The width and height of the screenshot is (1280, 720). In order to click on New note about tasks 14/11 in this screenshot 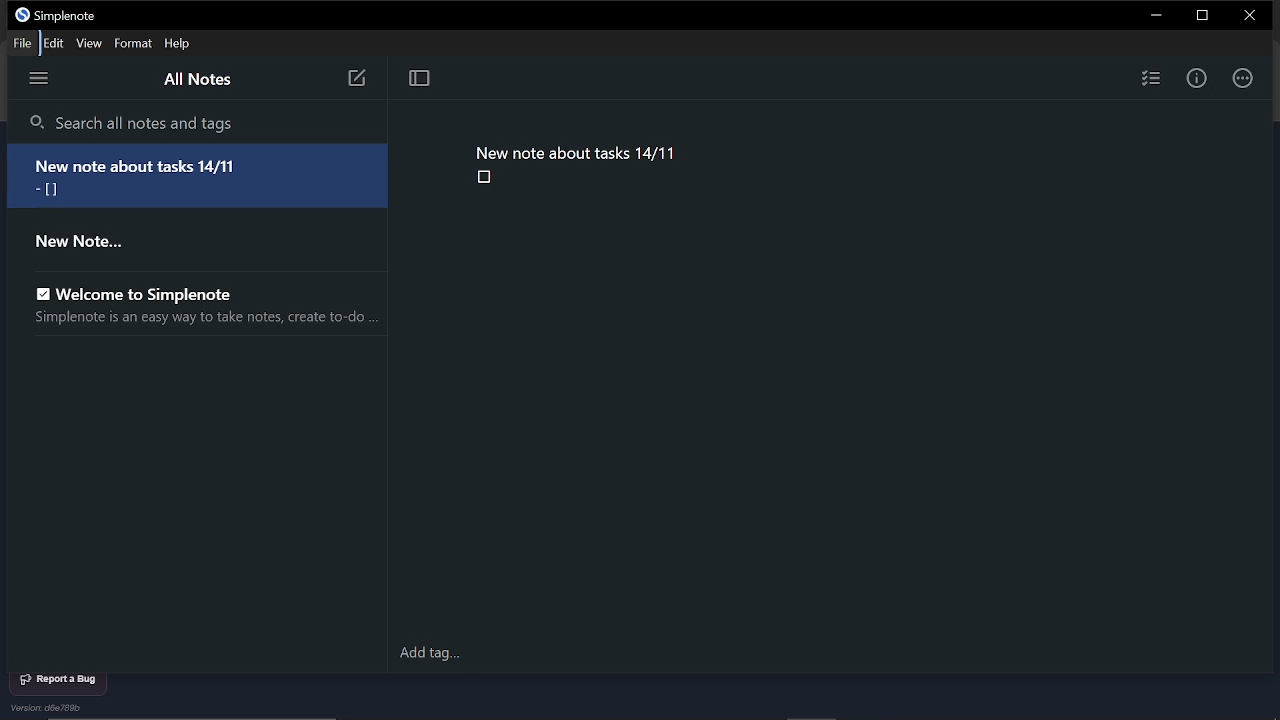, I will do `click(577, 151)`.